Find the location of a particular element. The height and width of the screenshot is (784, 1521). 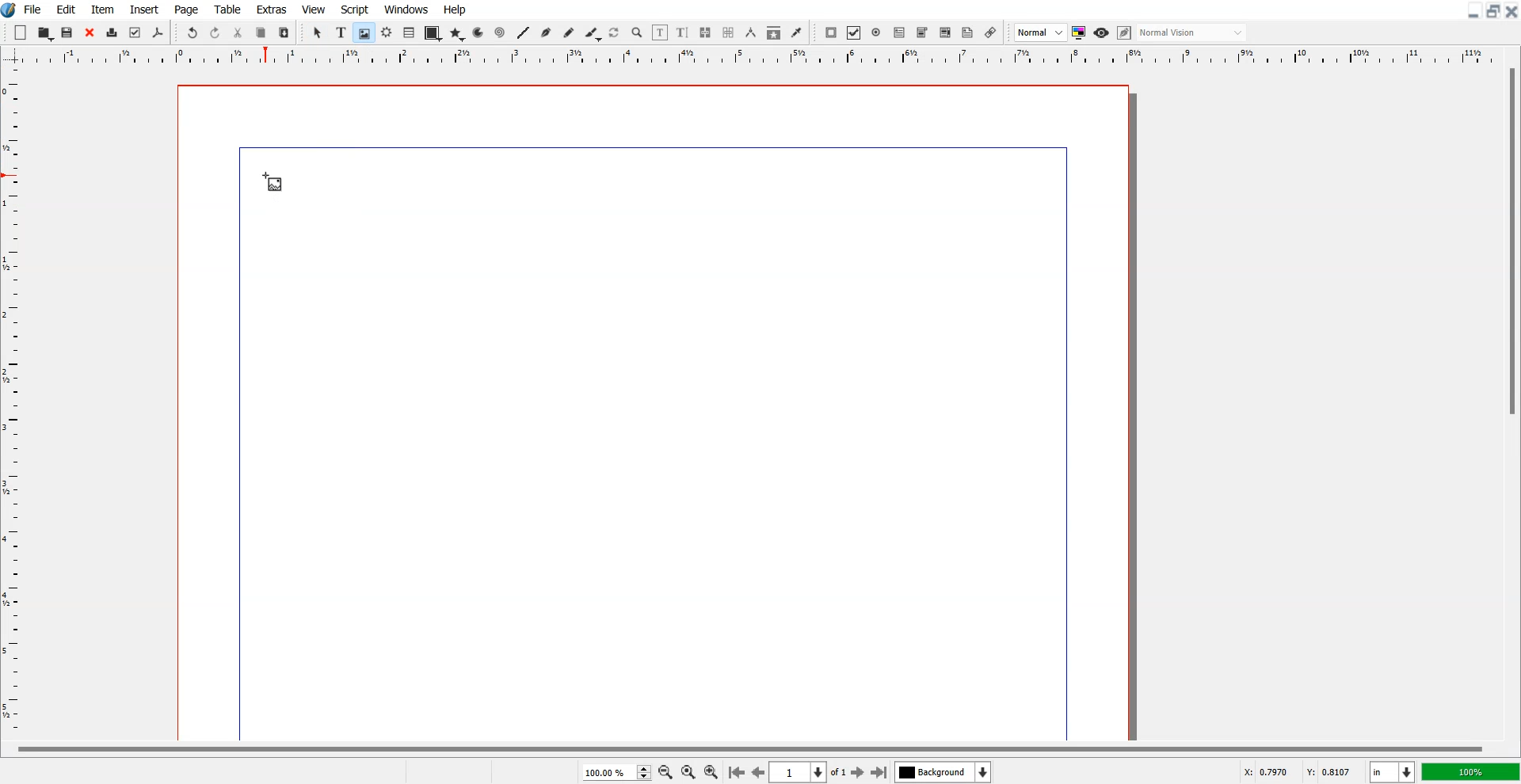

PDF Check Box is located at coordinates (854, 32).